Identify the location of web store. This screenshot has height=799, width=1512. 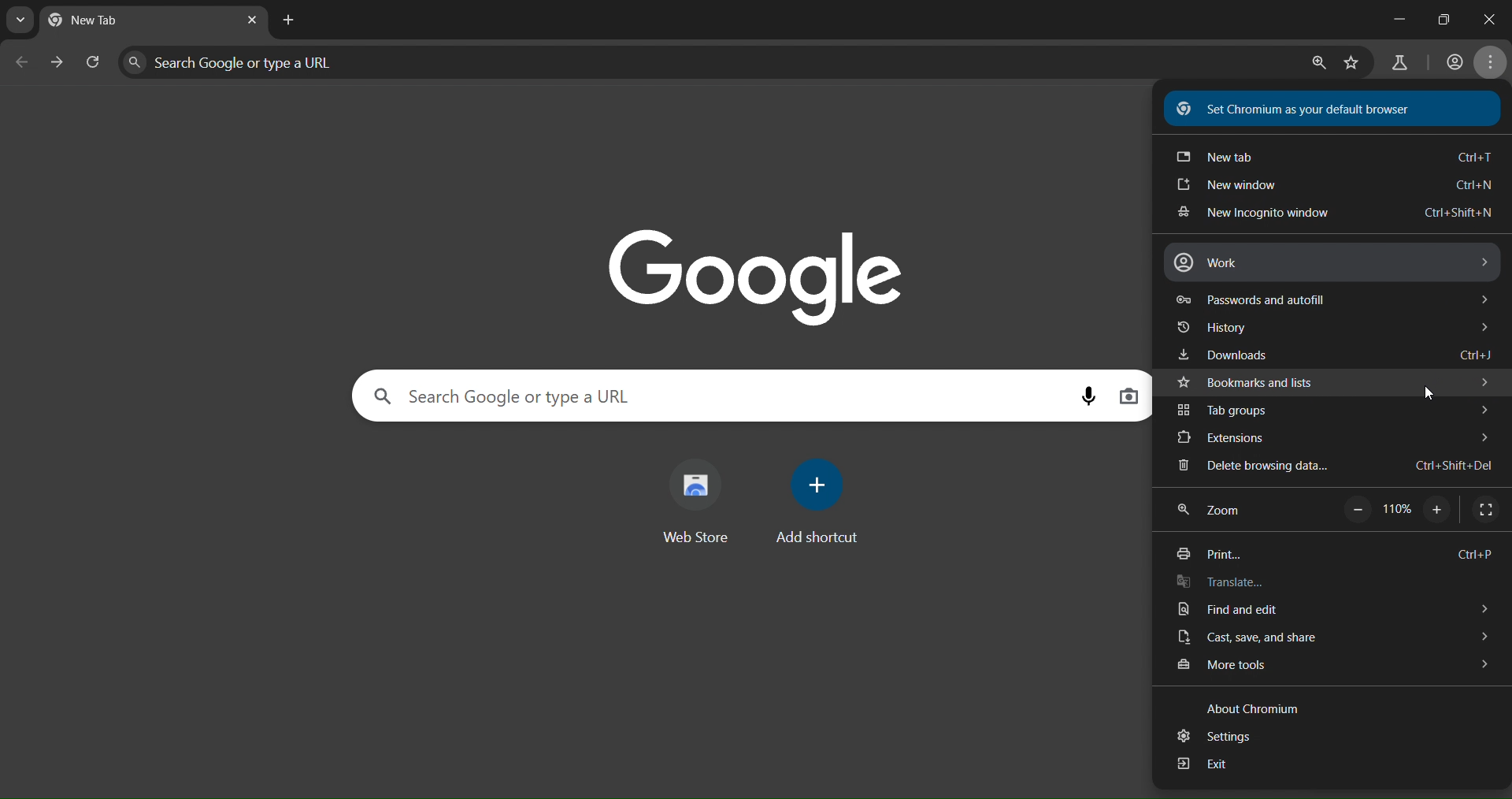
(702, 500).